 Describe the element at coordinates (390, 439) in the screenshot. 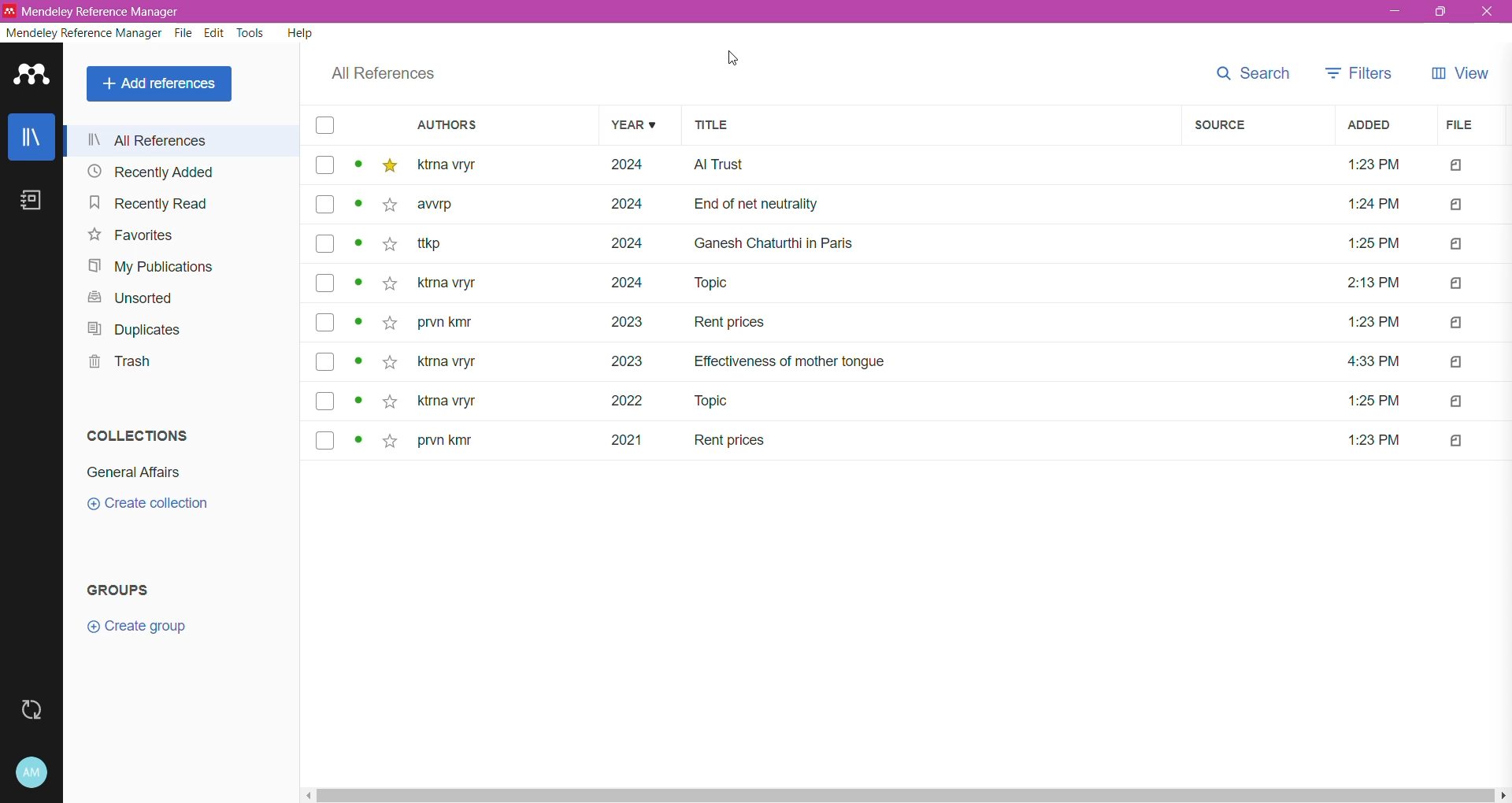

I see `click to add to favorites` at that location.